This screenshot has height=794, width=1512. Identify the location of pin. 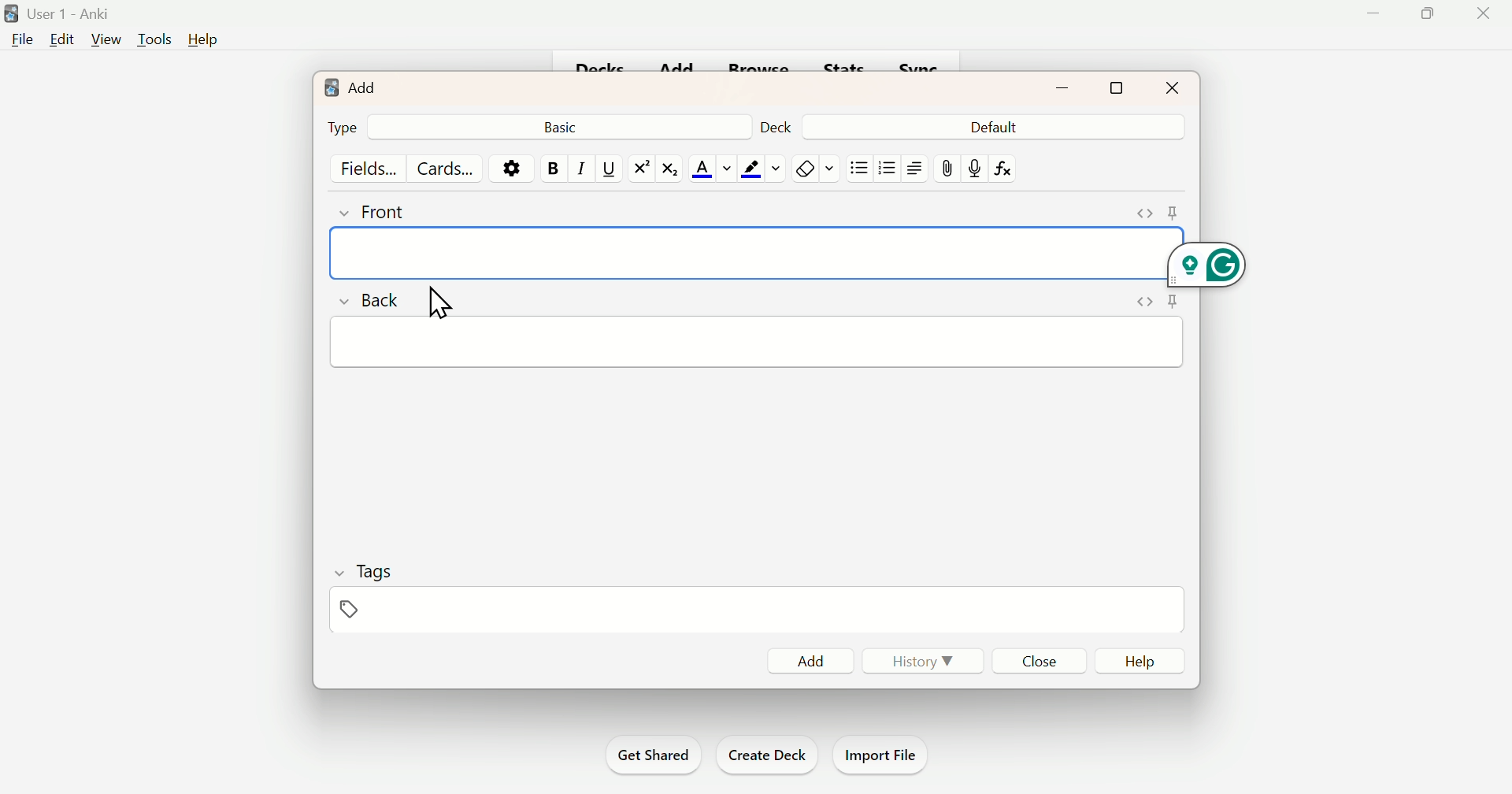
(944, 167).